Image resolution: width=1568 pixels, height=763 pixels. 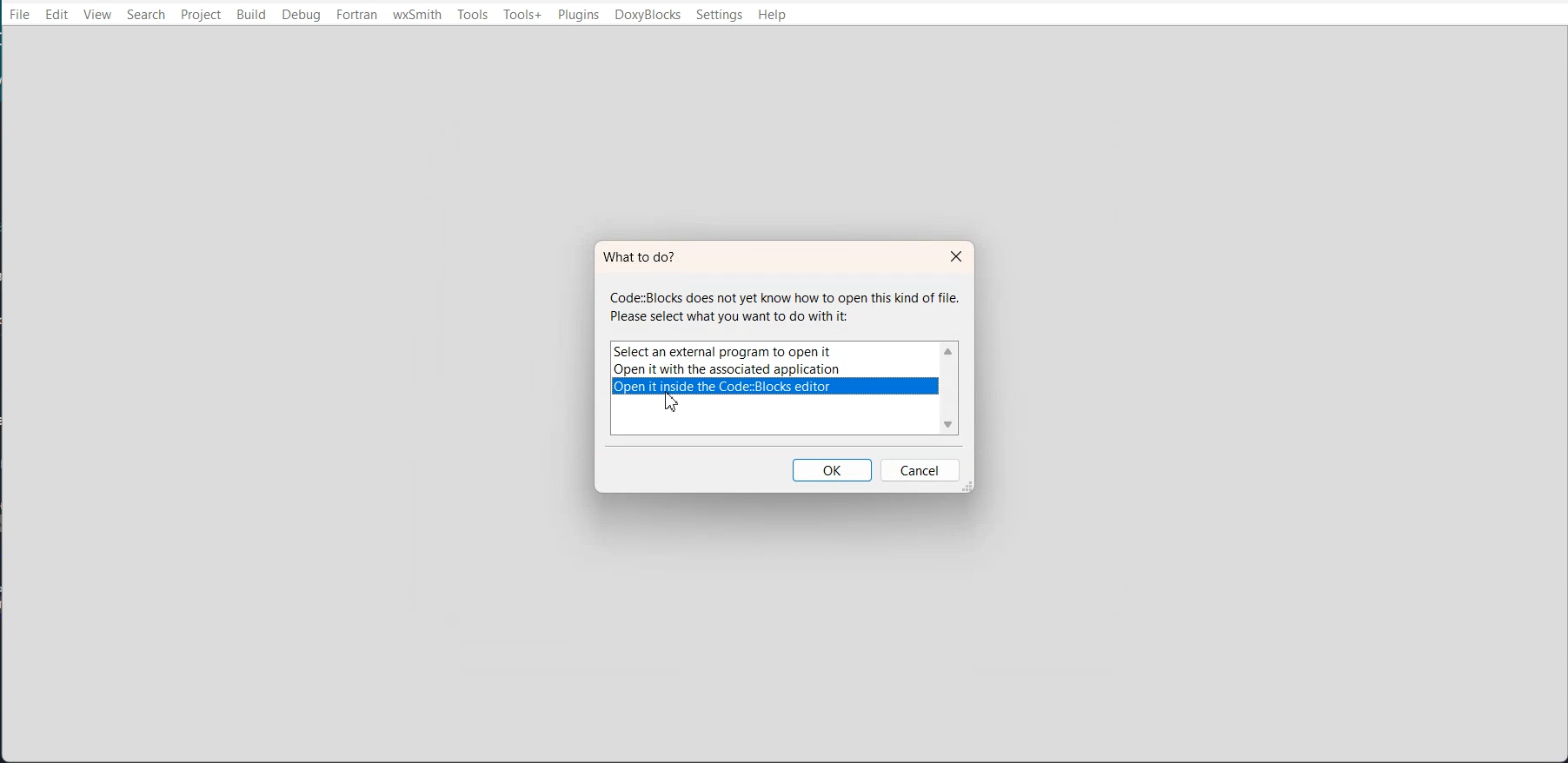 I want to click on Settings, so click(x=719, y=15).